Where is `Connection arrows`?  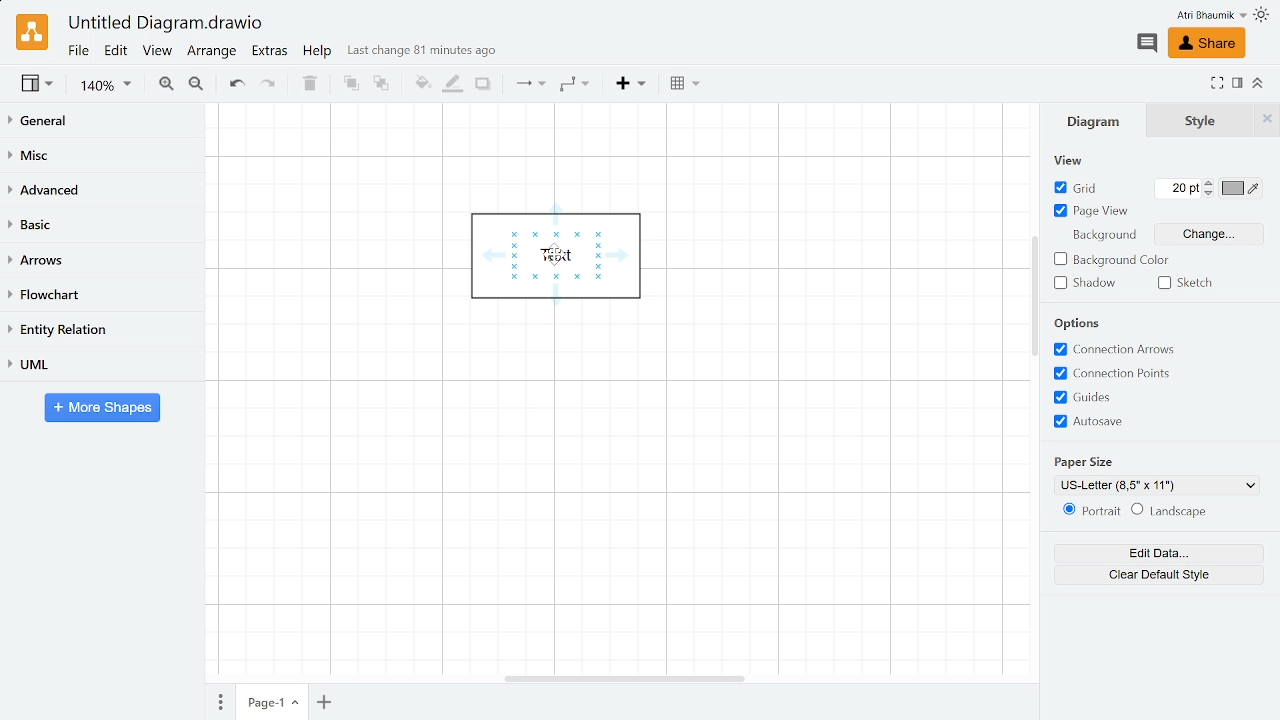
Connection arrows is located at coordinates (1118, 350).